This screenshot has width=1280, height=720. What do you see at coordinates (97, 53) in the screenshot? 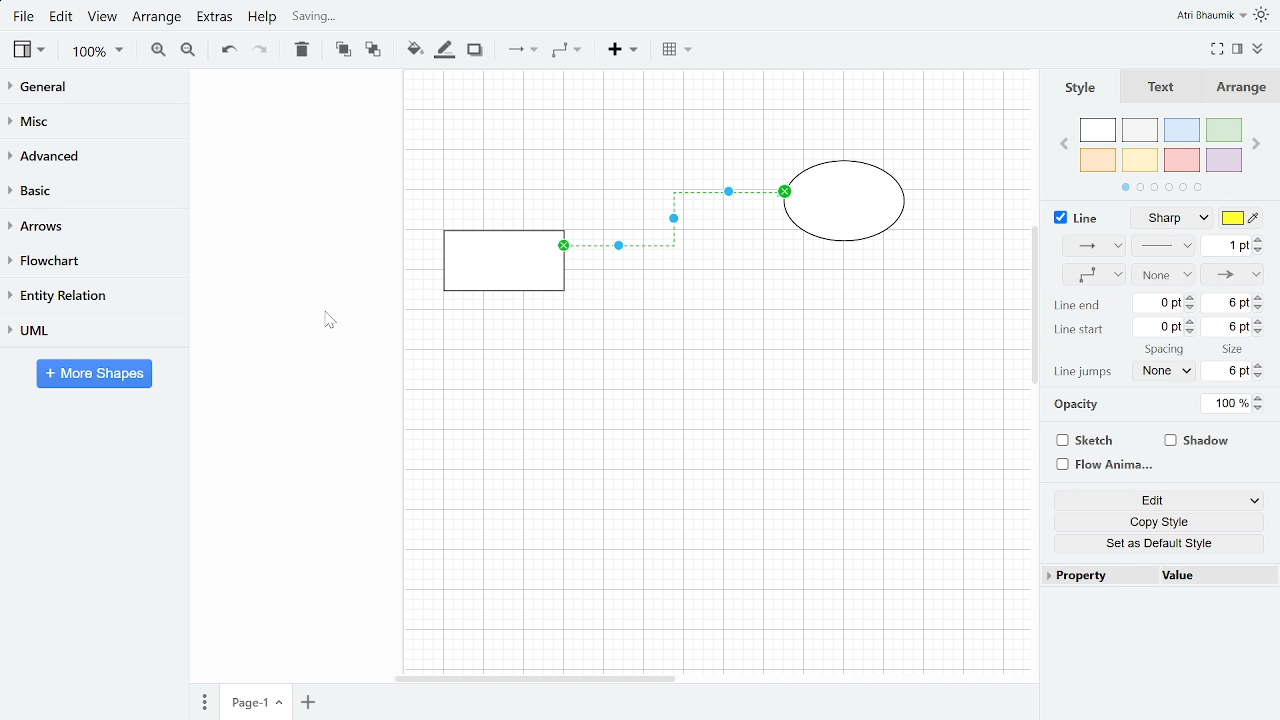
I see `Zoom` at bounding box center [97, 53].